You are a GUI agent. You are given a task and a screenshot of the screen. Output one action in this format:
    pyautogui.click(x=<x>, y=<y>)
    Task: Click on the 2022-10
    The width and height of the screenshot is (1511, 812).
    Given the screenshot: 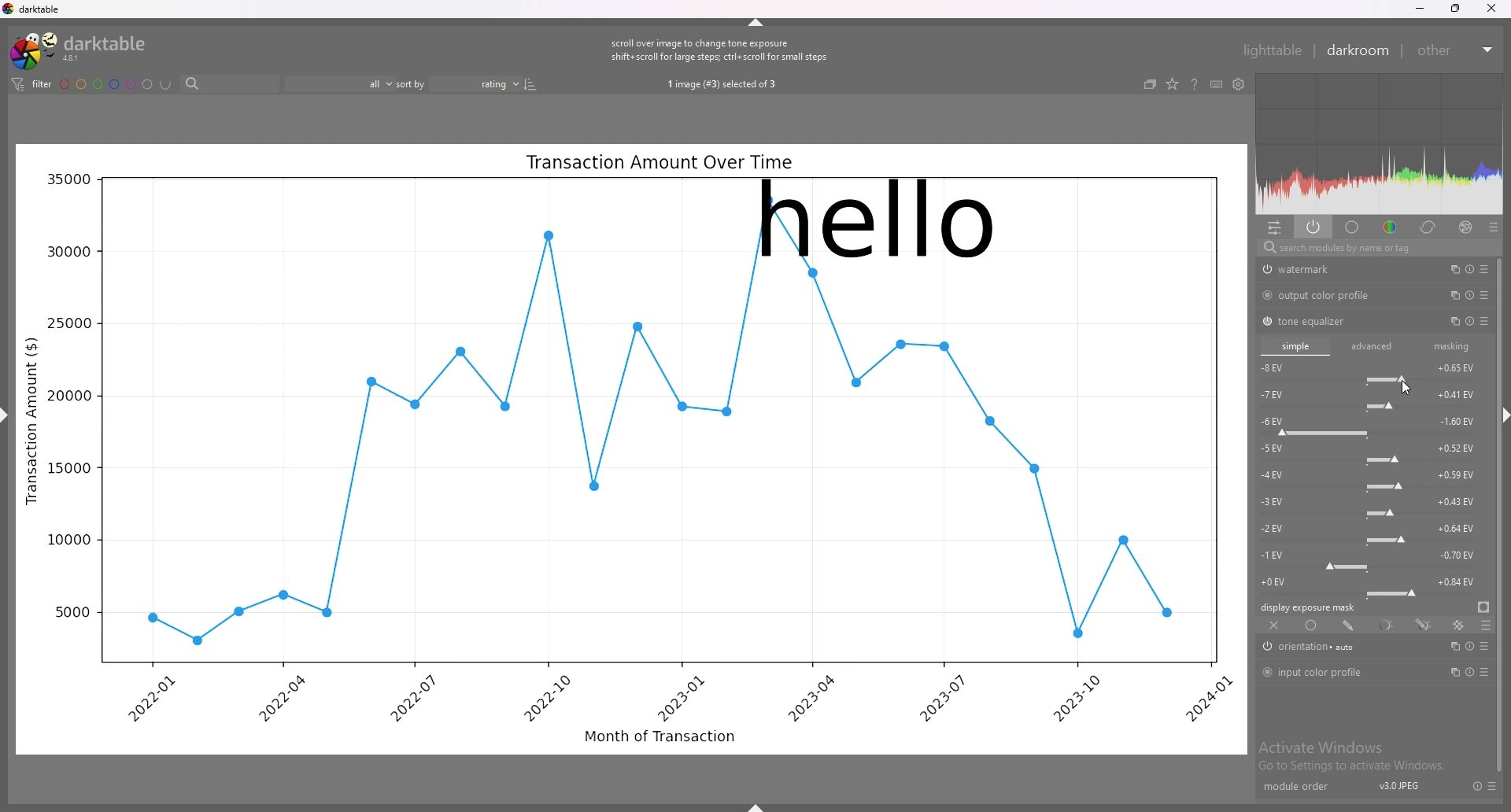 What is the action you would take?
    pyautogui.click(x=545, y=697)
    